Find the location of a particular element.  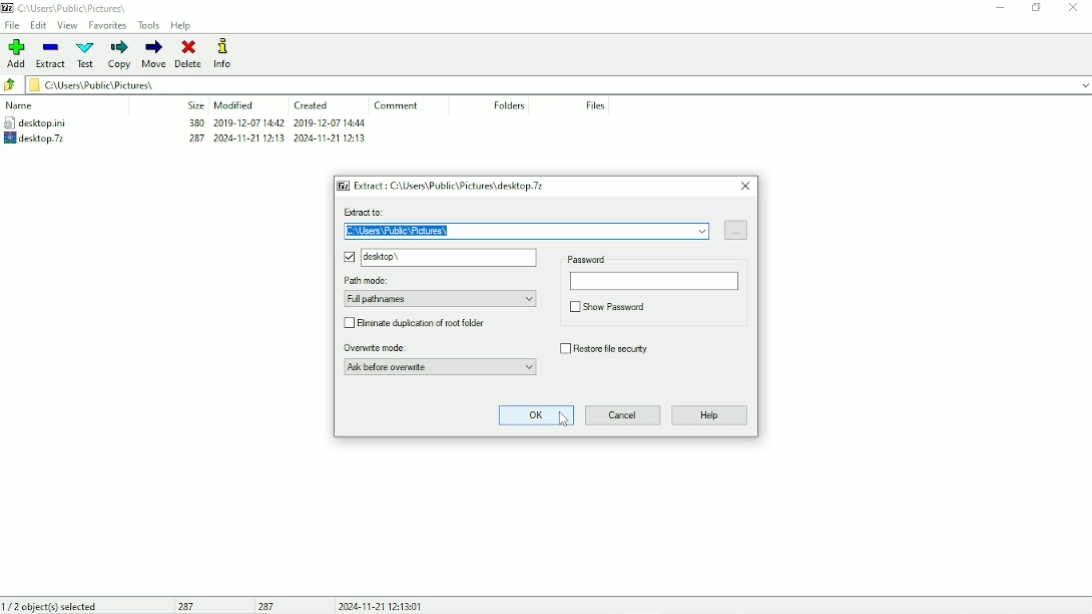

Add is located at coordinates (17, 53).